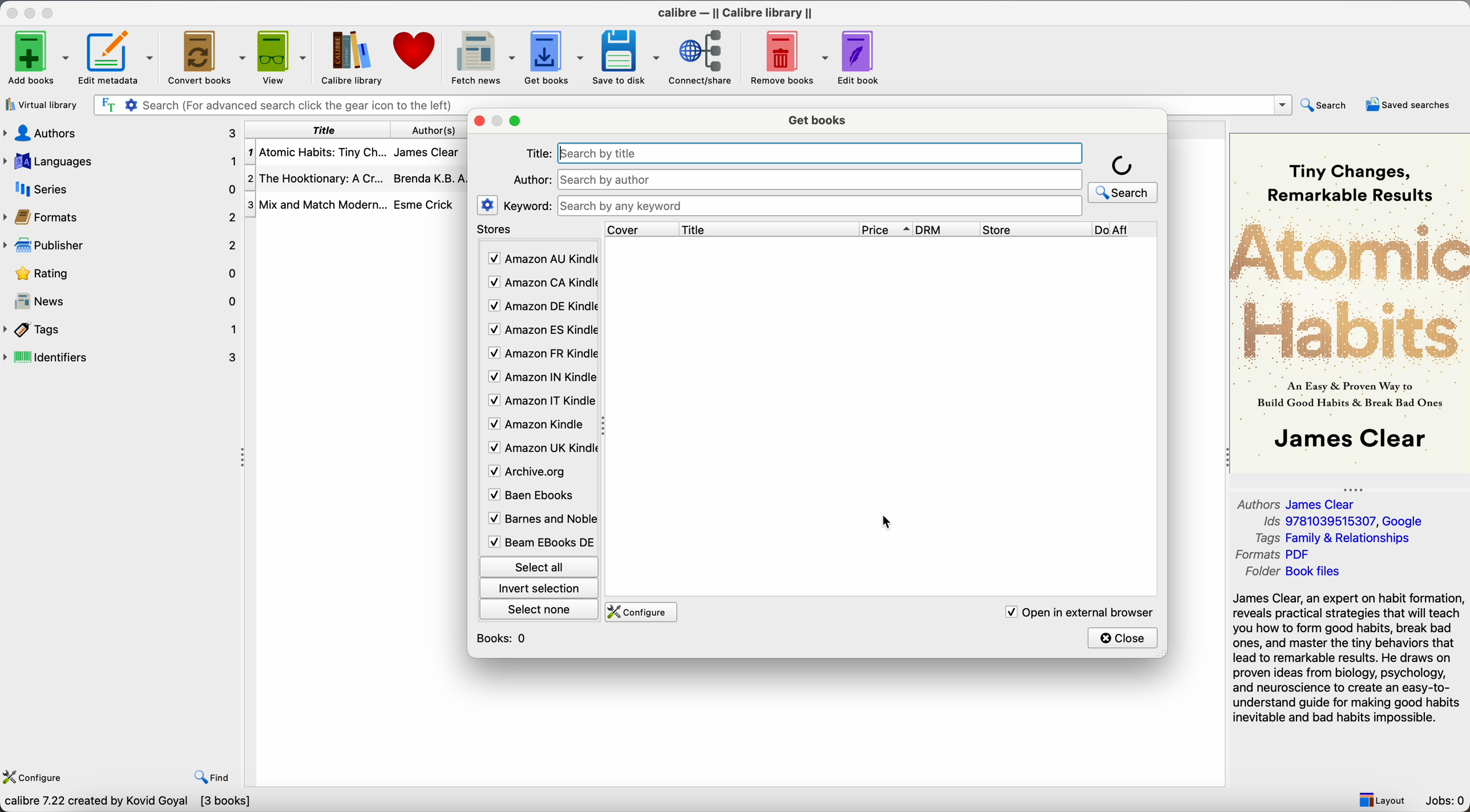 This screenshot has height=812, width=1470. Describe the element at coordinates (540, 403) in the screenshot. I see `Amazon IT Kindle` at that location.